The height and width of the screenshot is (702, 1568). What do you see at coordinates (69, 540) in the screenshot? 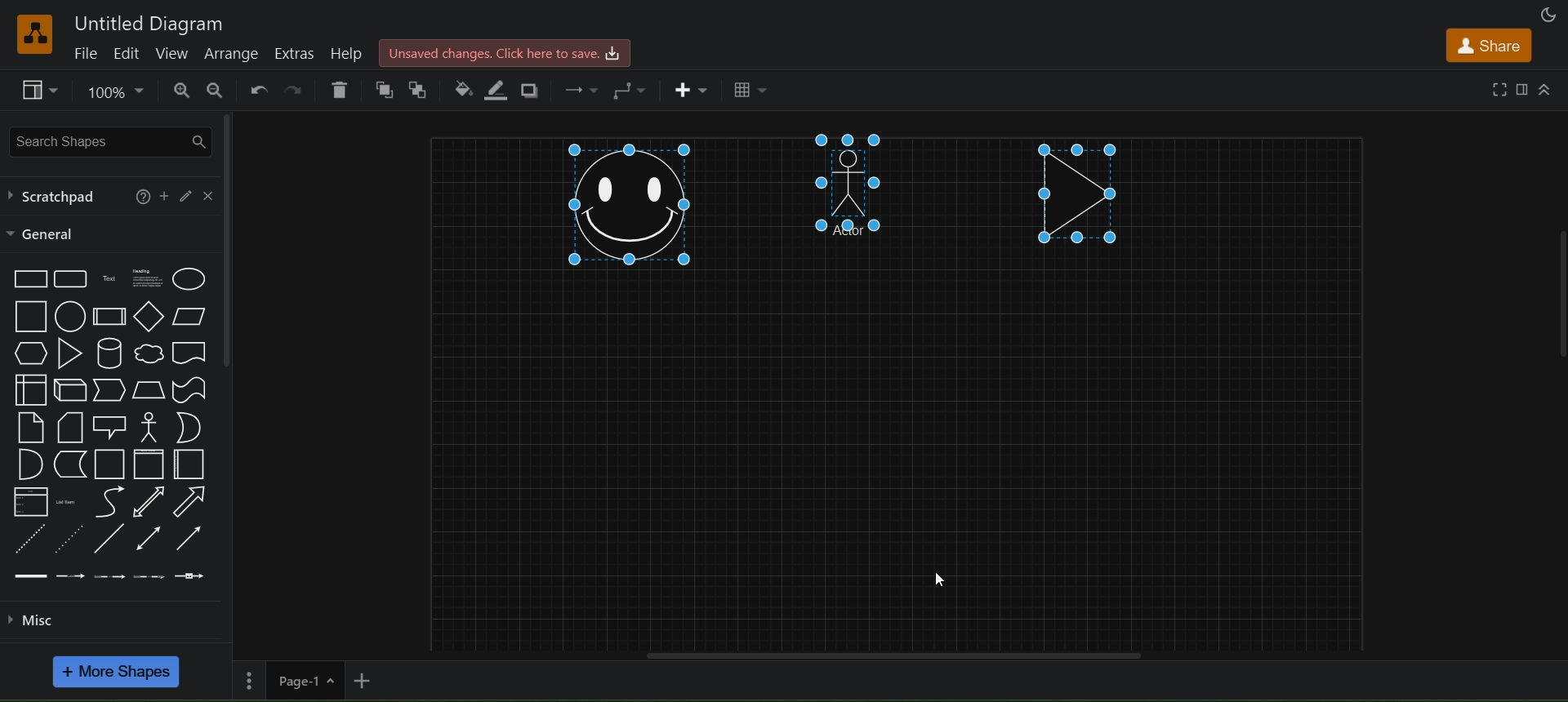
I see `dotted line` at bounding box center [69, 540].